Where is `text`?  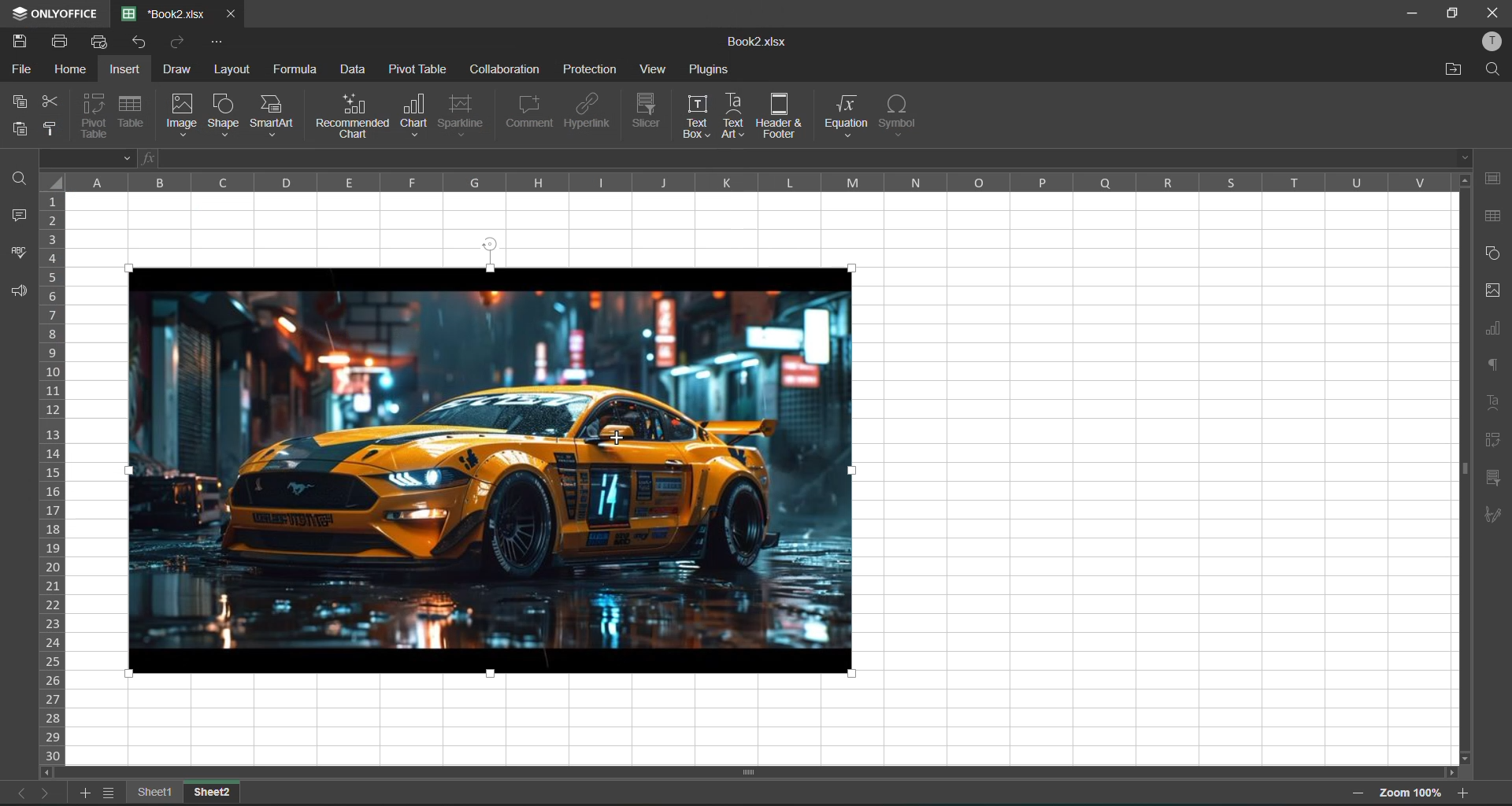 text is located at coordinates (1495, 404).